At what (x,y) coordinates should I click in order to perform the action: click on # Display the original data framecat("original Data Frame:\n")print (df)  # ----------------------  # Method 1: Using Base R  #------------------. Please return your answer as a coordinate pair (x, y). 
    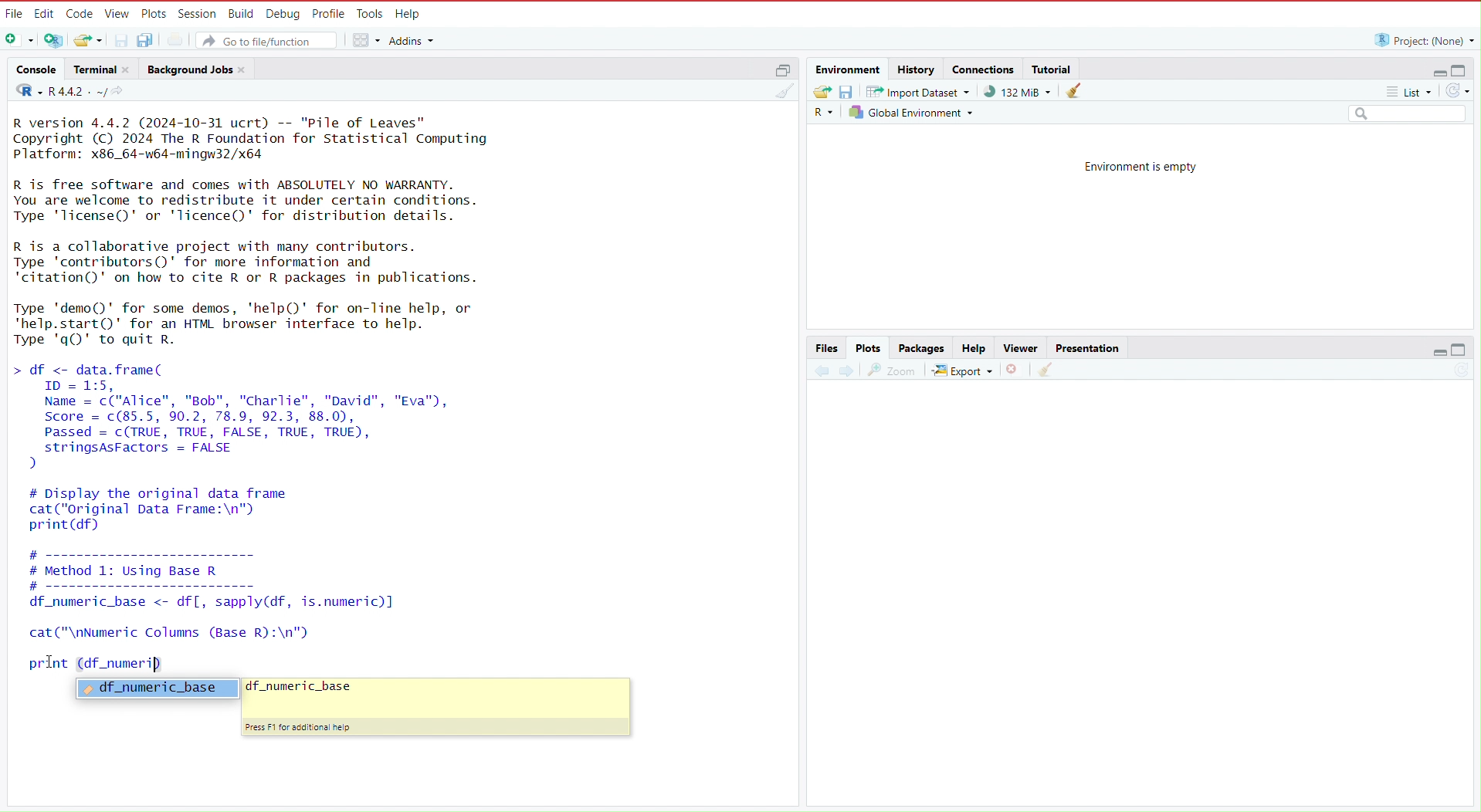
    Looking at the image, I should click on (252, 538).